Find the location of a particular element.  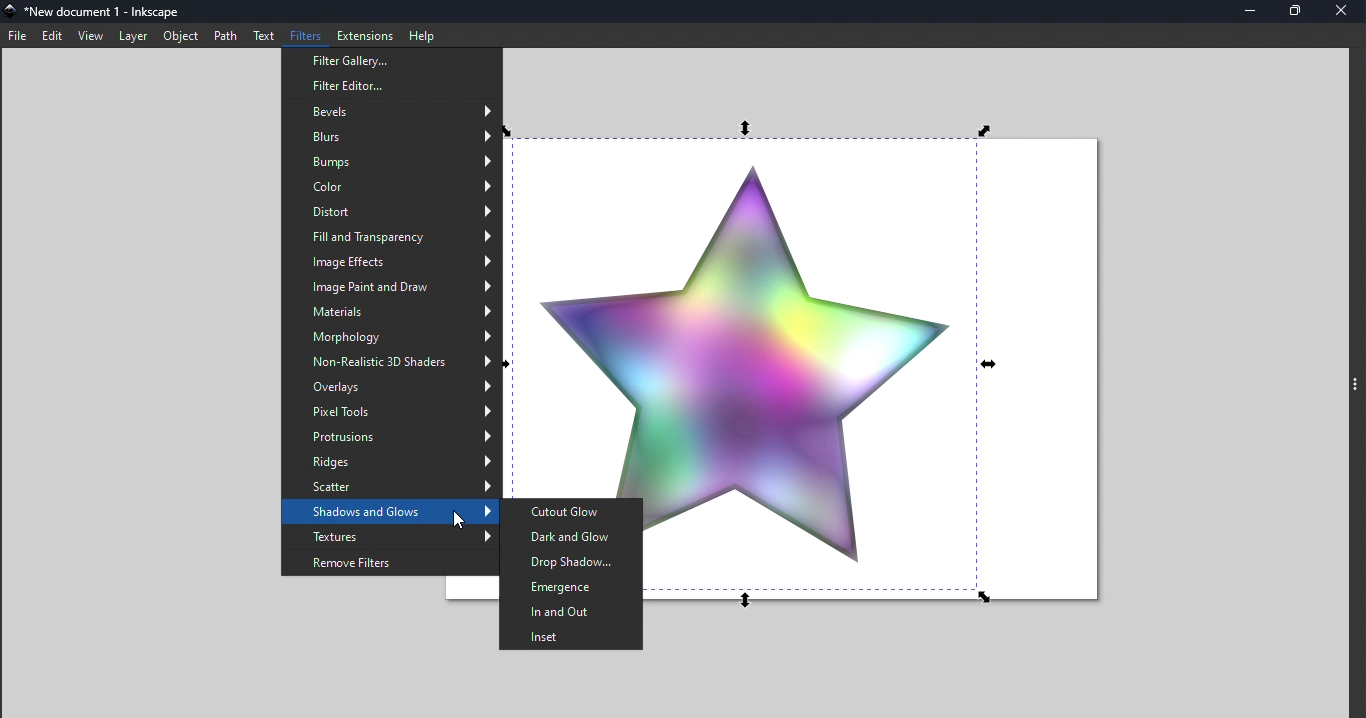

Protrusions is located at coordinates (392, 438).